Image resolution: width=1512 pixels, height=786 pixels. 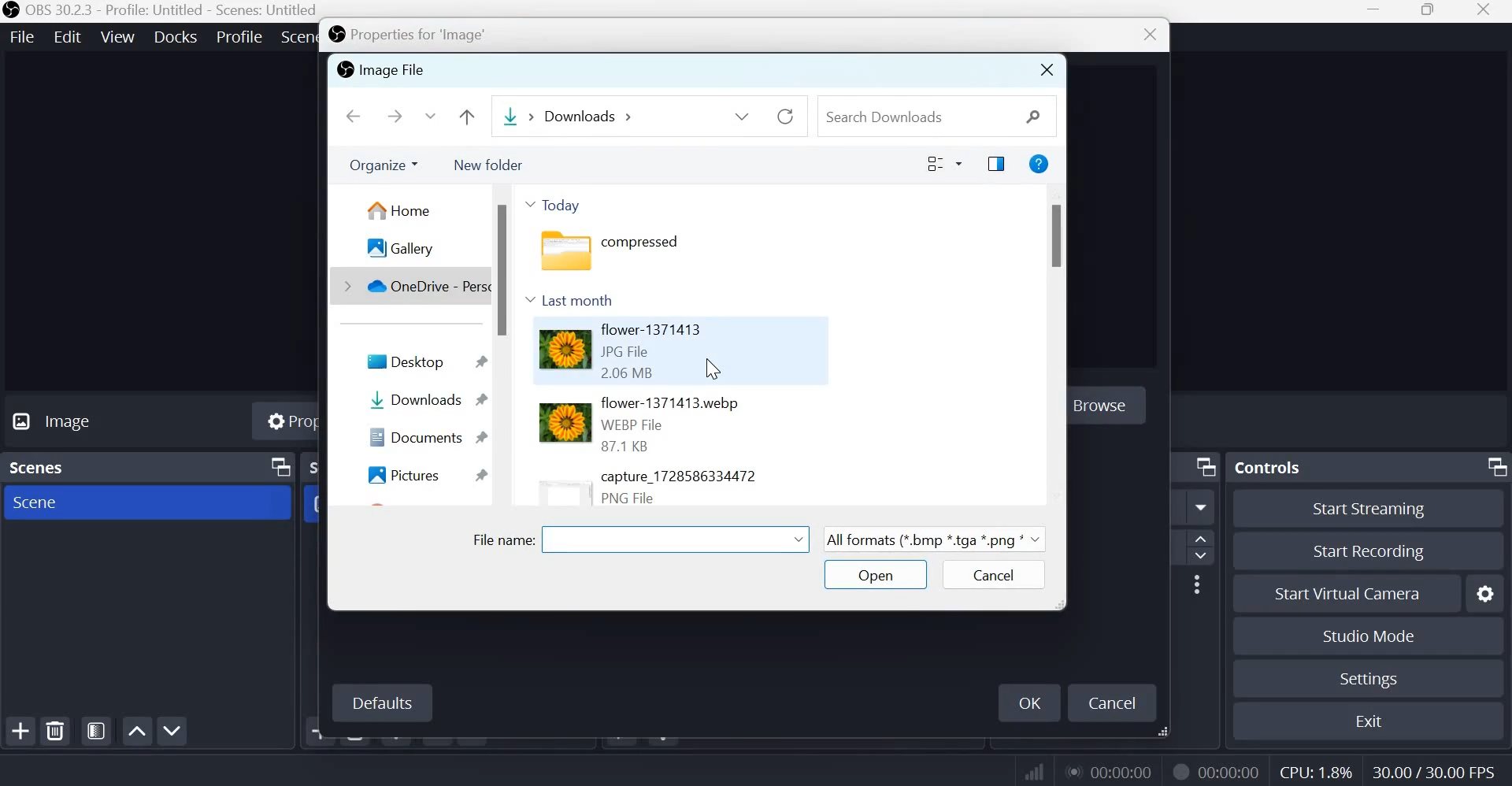 I want to click on Last month, so click(x=579, y=298).